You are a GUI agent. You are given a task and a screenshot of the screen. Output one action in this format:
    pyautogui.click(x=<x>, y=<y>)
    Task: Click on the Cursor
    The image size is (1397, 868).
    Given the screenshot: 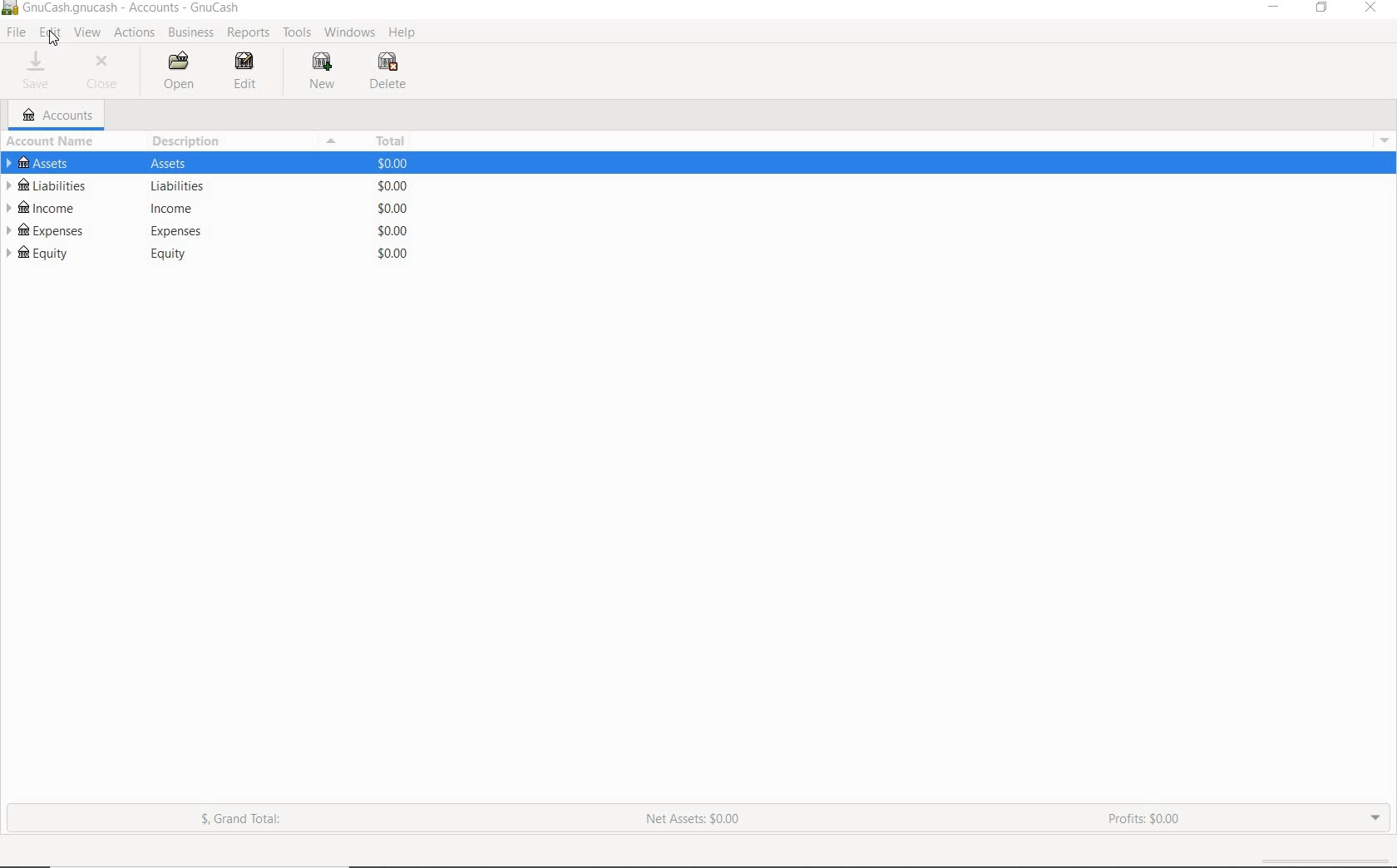 What is the action you would take?
    pyautogui.click(x=55, y=38)
    